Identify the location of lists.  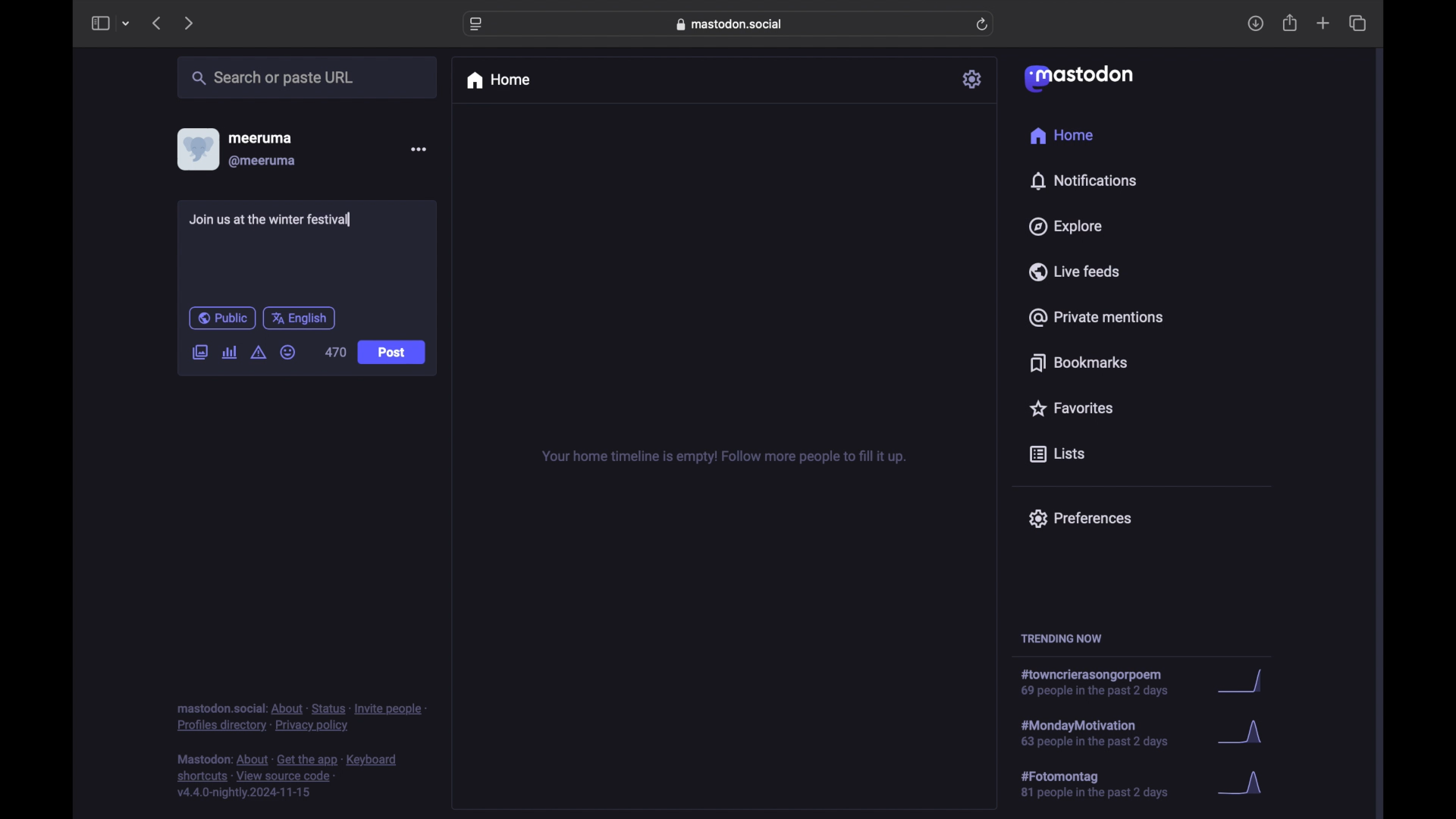
(1057, 455).